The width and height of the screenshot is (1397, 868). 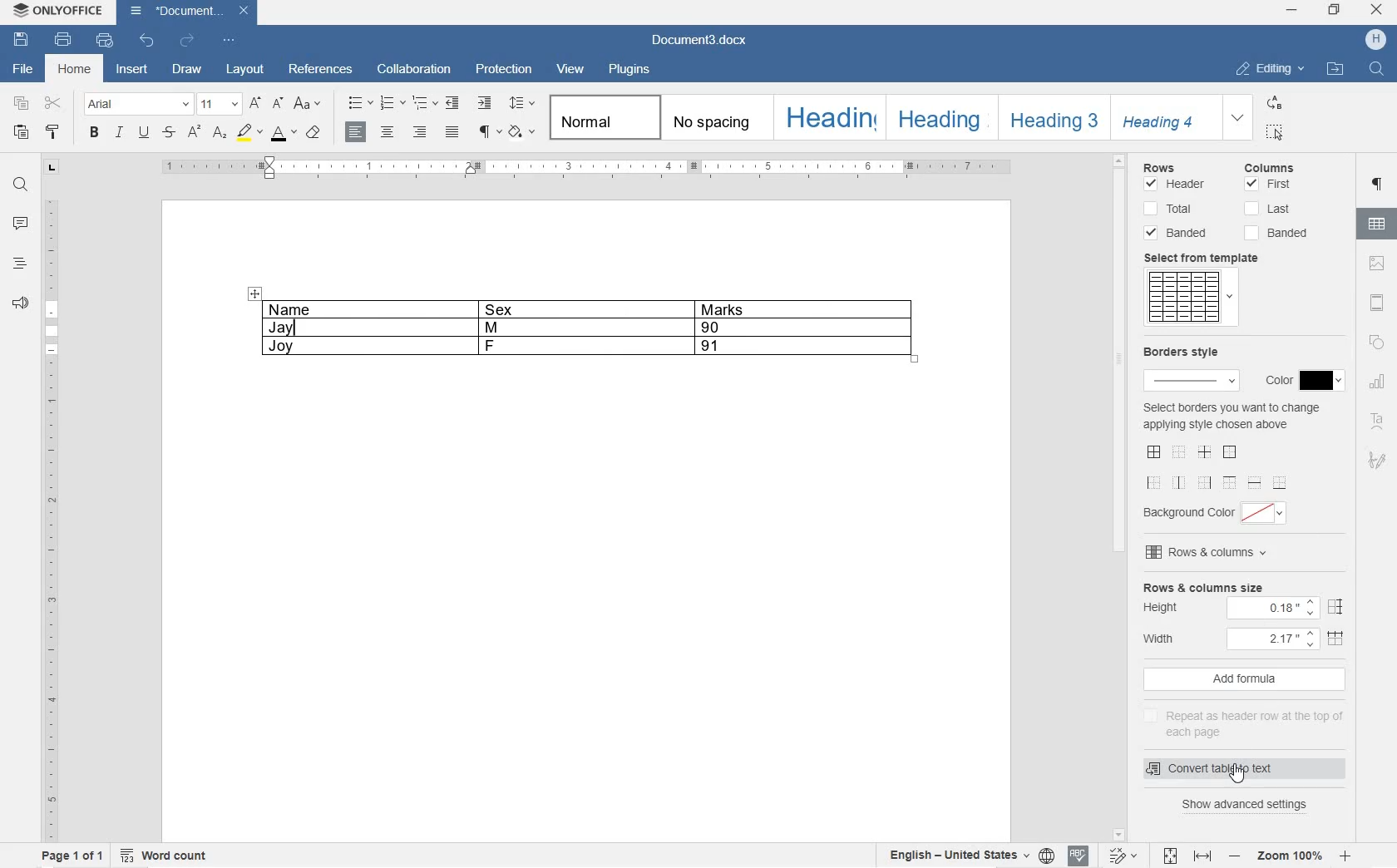 What do you see at coordinates (1209, 257) in the screenshot?
I see `select from template` at bounding box center [1209, 257].